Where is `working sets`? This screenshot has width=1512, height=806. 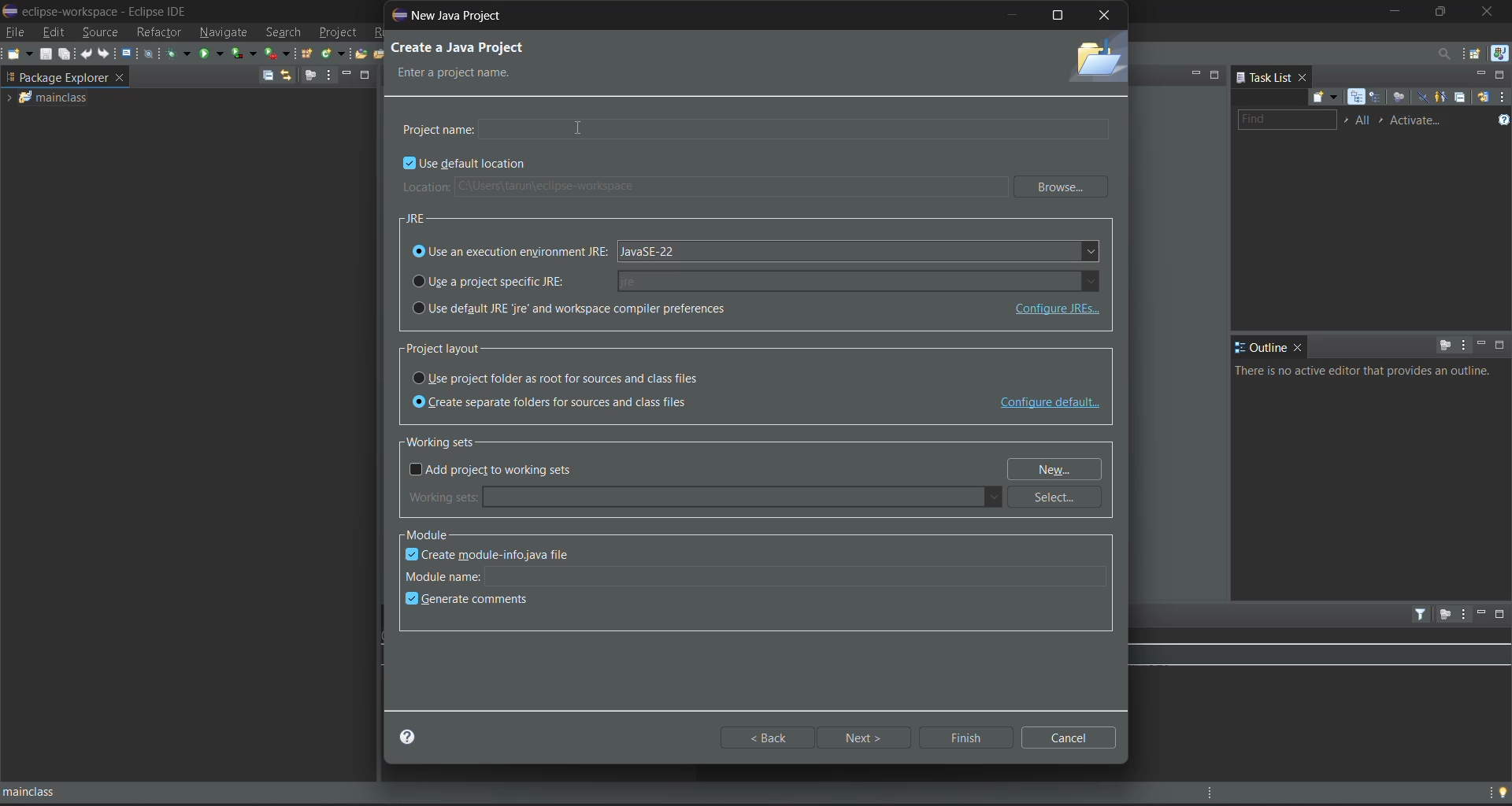
working sets is located at coordinates (705, 497).